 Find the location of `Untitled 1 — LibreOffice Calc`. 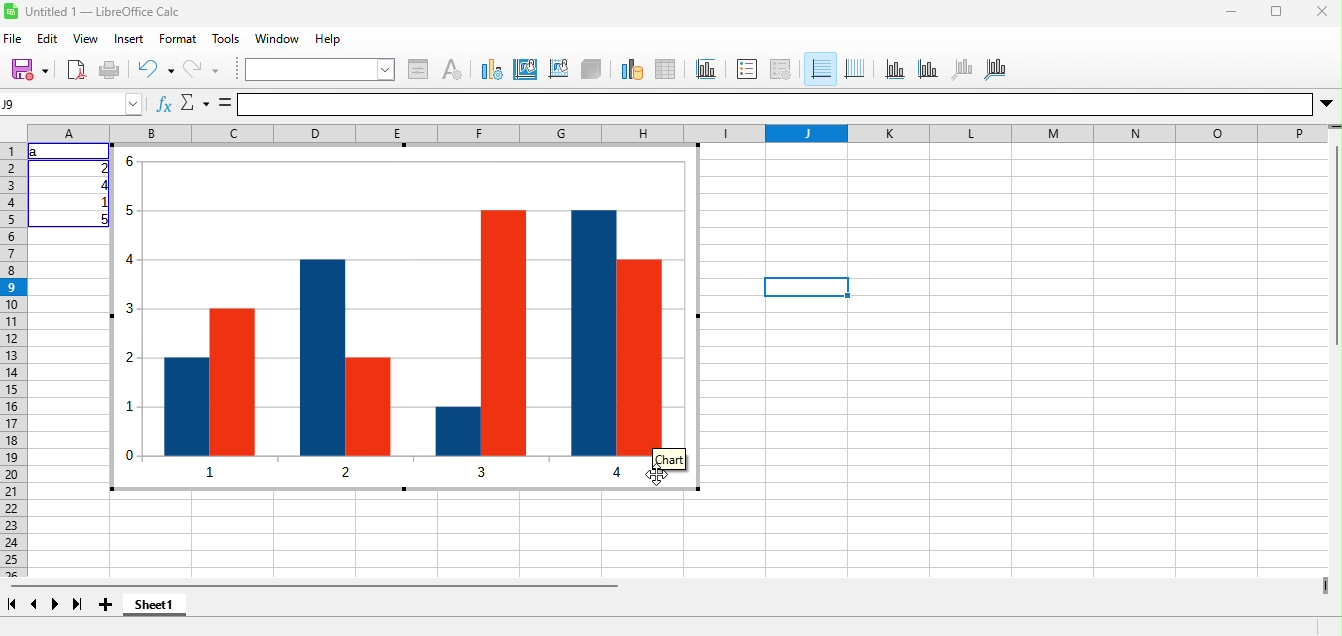

Untitled 1 — LibreOffice Calc is located at coordinates (102, 12).